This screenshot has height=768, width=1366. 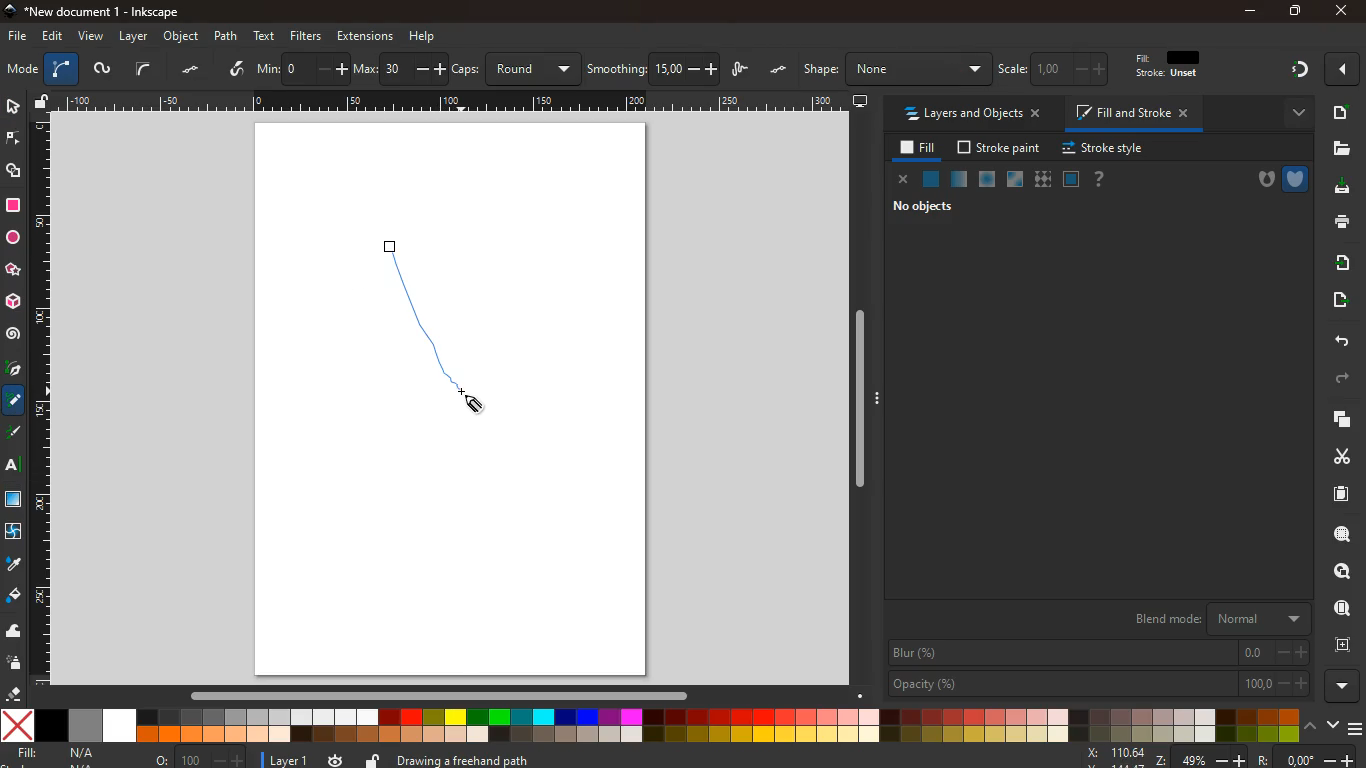 What do you see at coordinates (18, 37) in the screenshot?
I see `file` at bounding box center [18, 37].